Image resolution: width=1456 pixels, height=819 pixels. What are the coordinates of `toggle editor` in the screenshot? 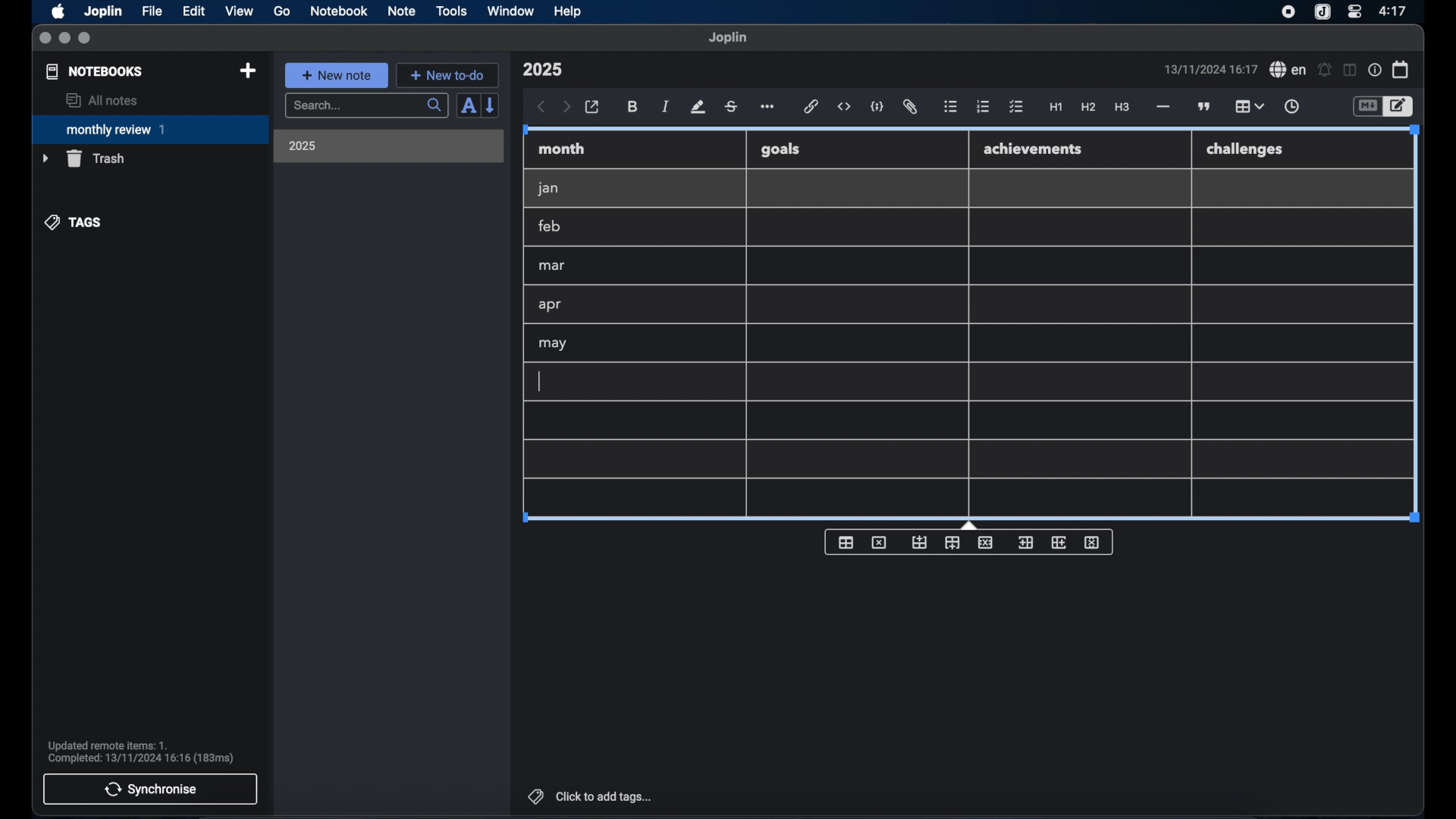 It's located at (1367, 107).